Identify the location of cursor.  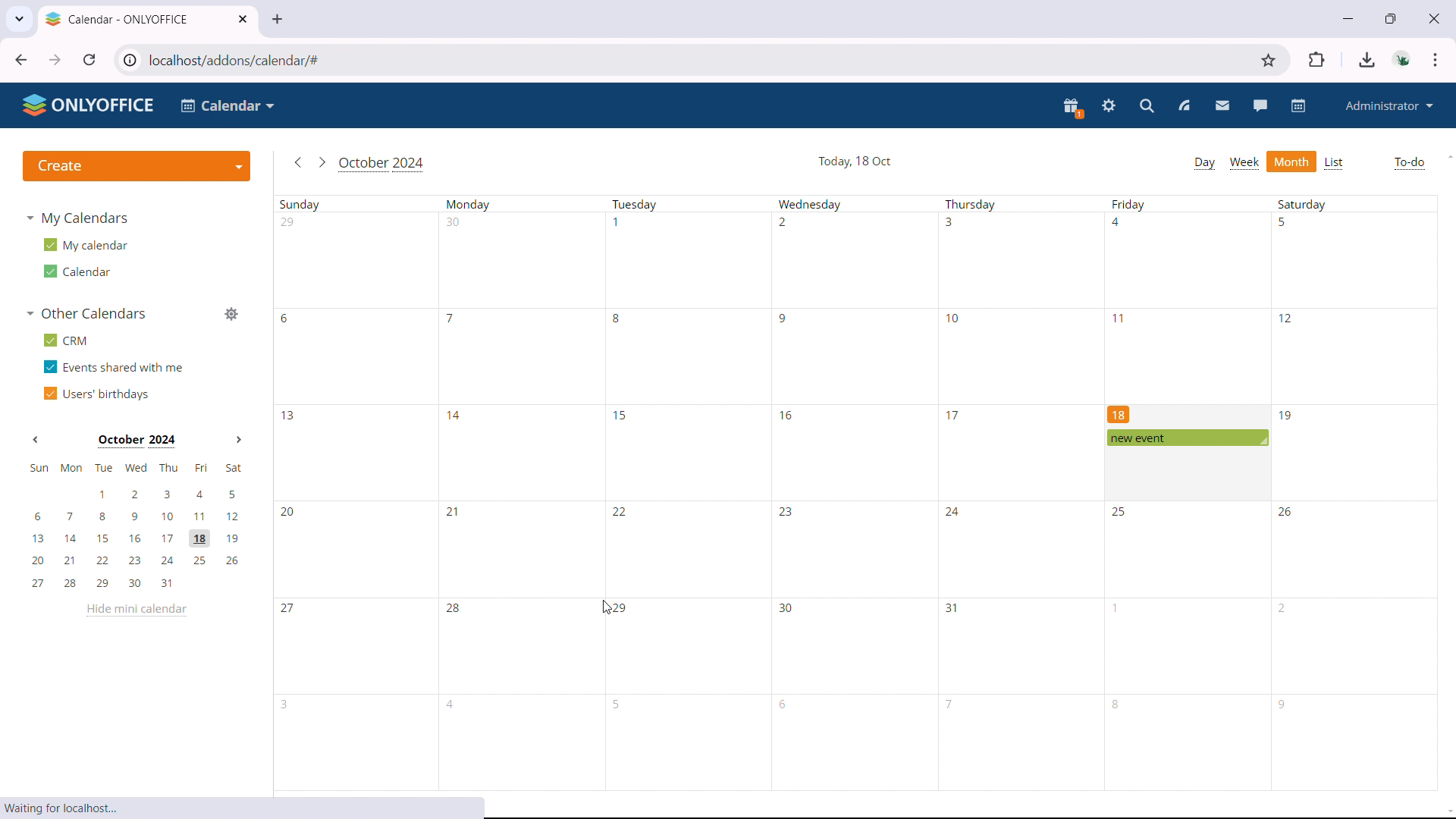
(607, 609).